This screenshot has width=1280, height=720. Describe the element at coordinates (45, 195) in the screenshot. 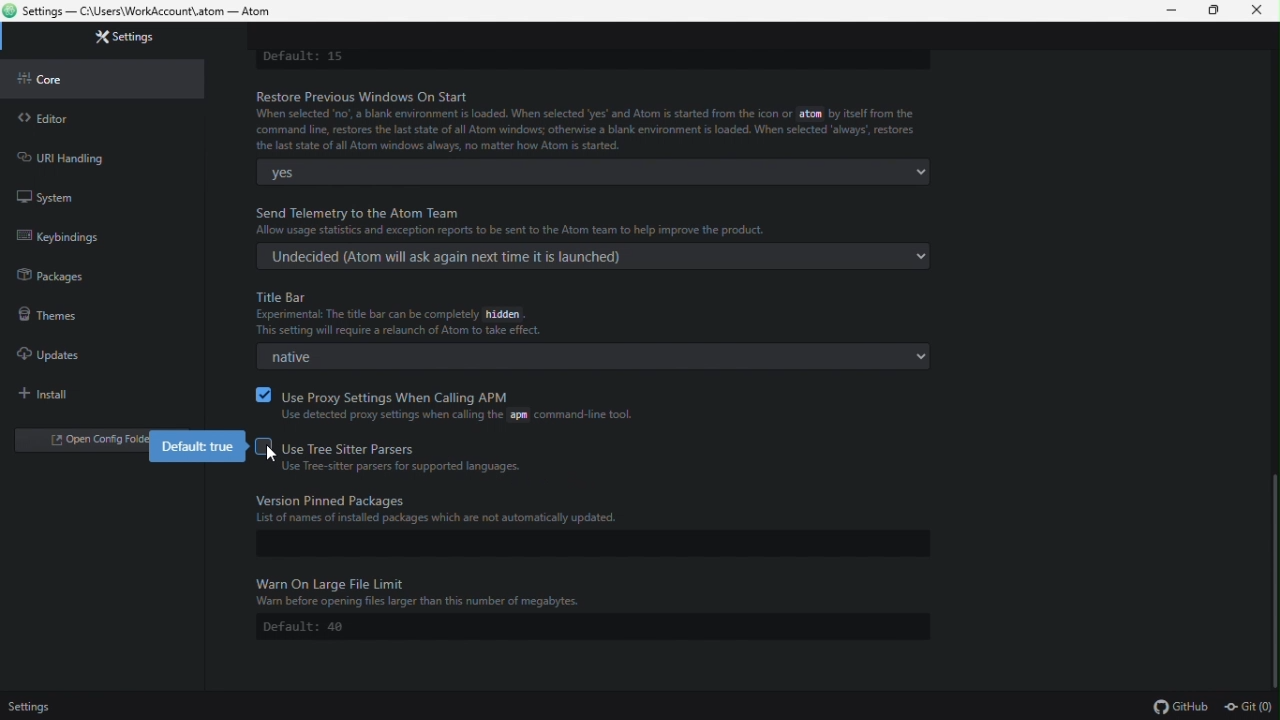

I see `system` at that location.